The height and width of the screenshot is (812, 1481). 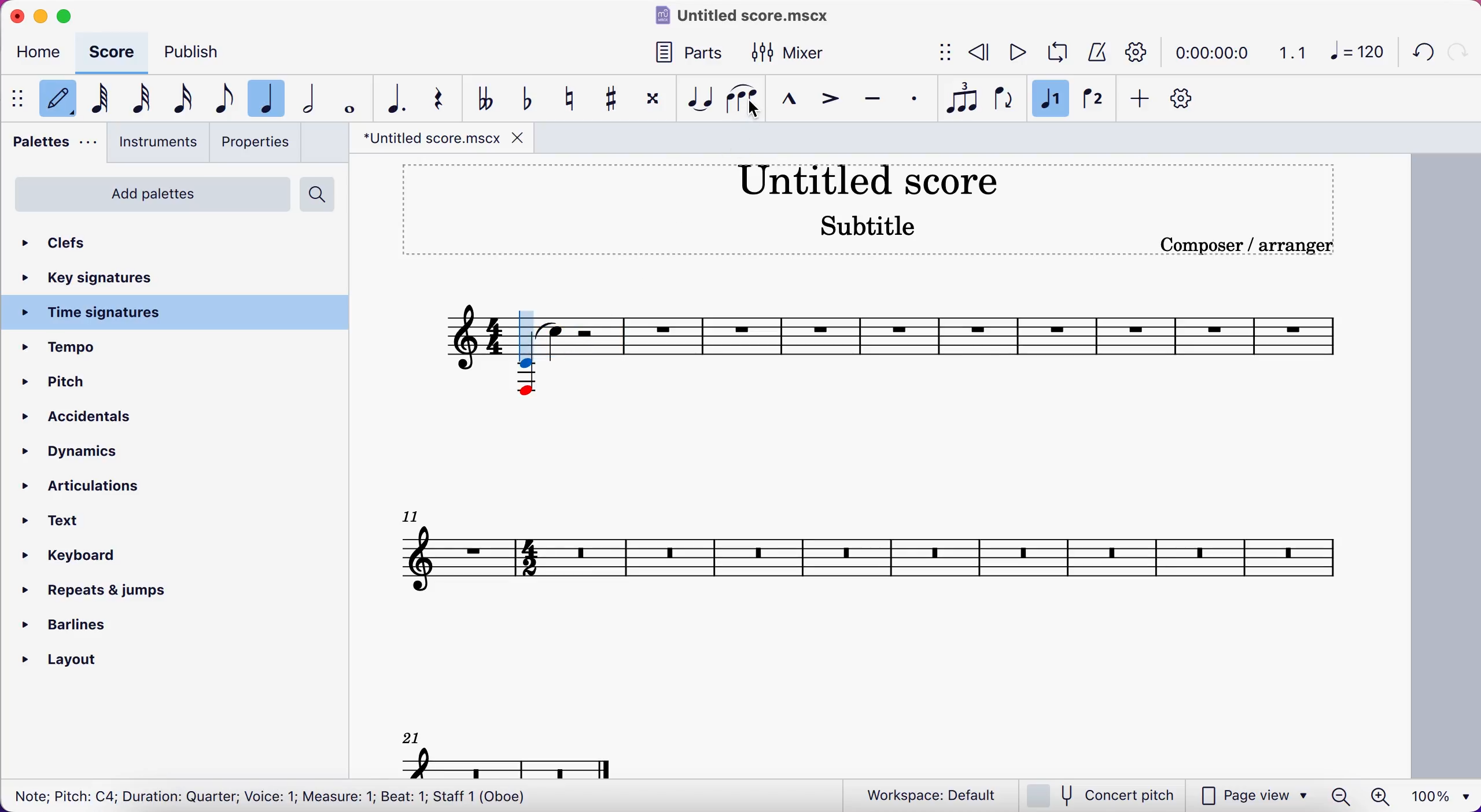 What do you see at coordinates (109, 278) in the screenshot?
I see `key signatures` at bounding box center [109, 278].